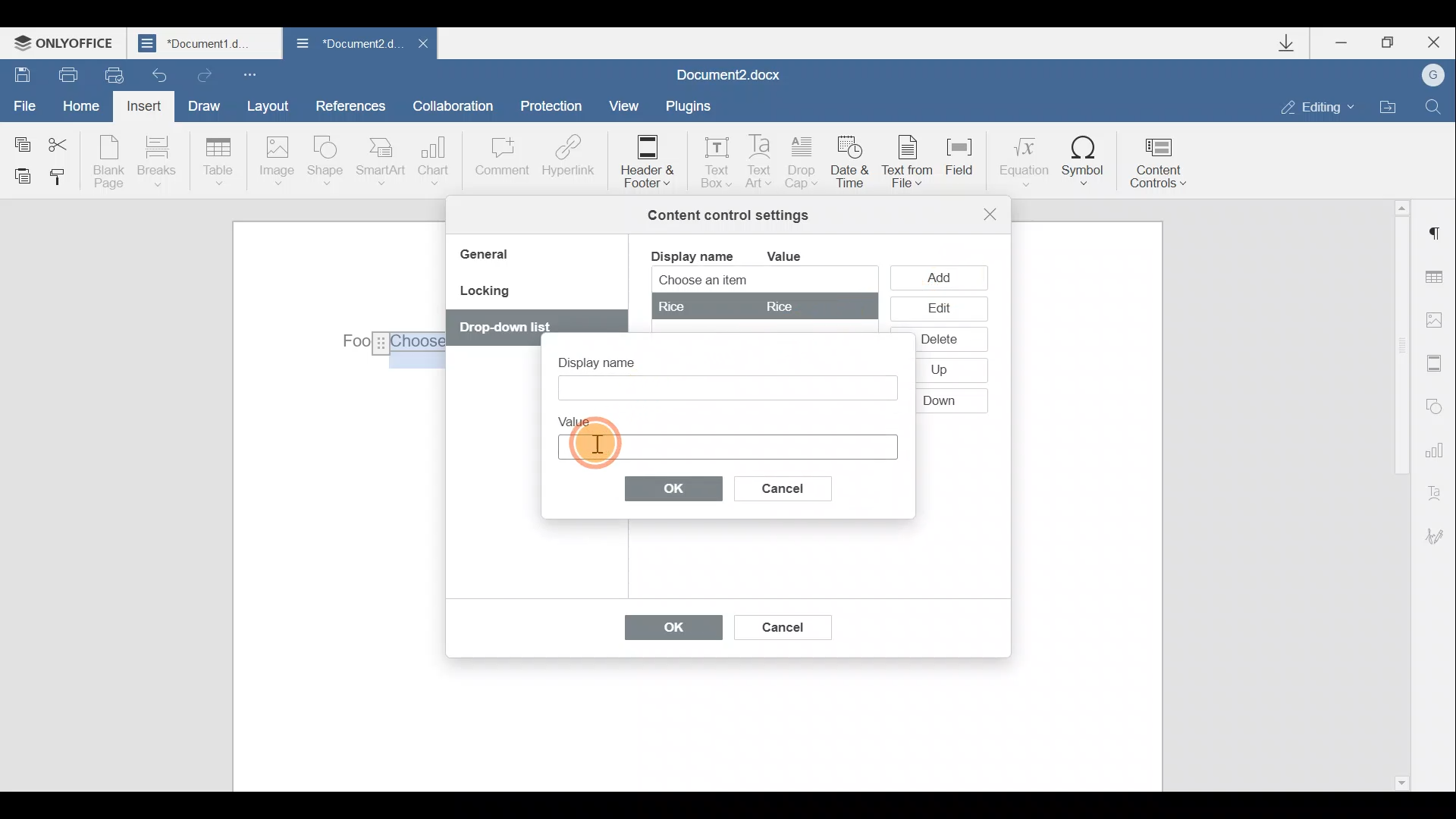  Describe the element at coordinates (328, 163) in the screenshot. I see `Shape` at that location.